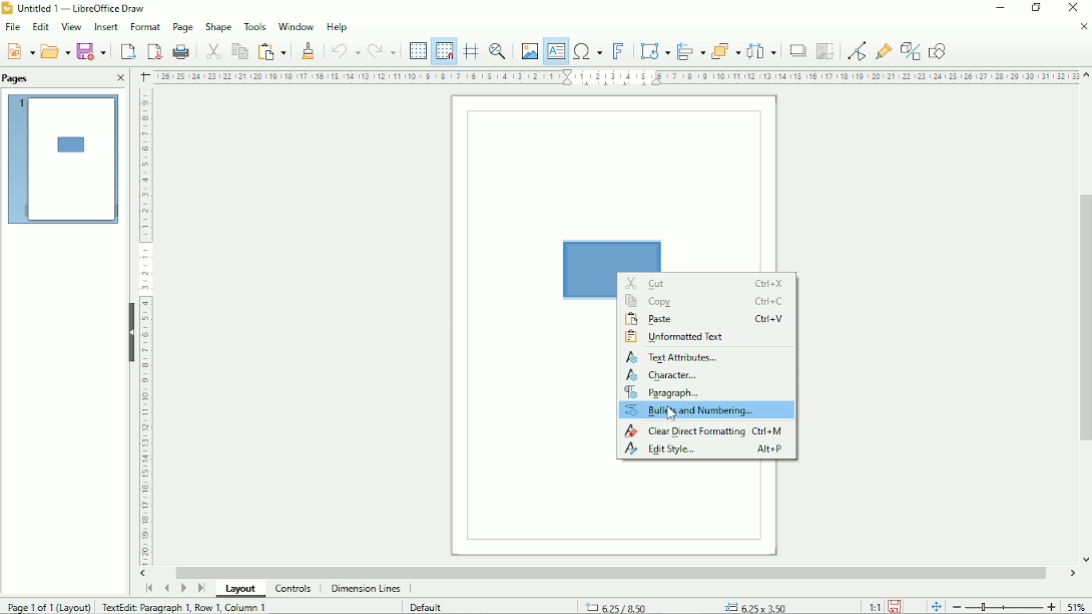 The height and width of the screenshot is (614, 1092). Describe the element at coordinates (705, 430) in the screenshot. I see `Clear direct formatting` at that location.